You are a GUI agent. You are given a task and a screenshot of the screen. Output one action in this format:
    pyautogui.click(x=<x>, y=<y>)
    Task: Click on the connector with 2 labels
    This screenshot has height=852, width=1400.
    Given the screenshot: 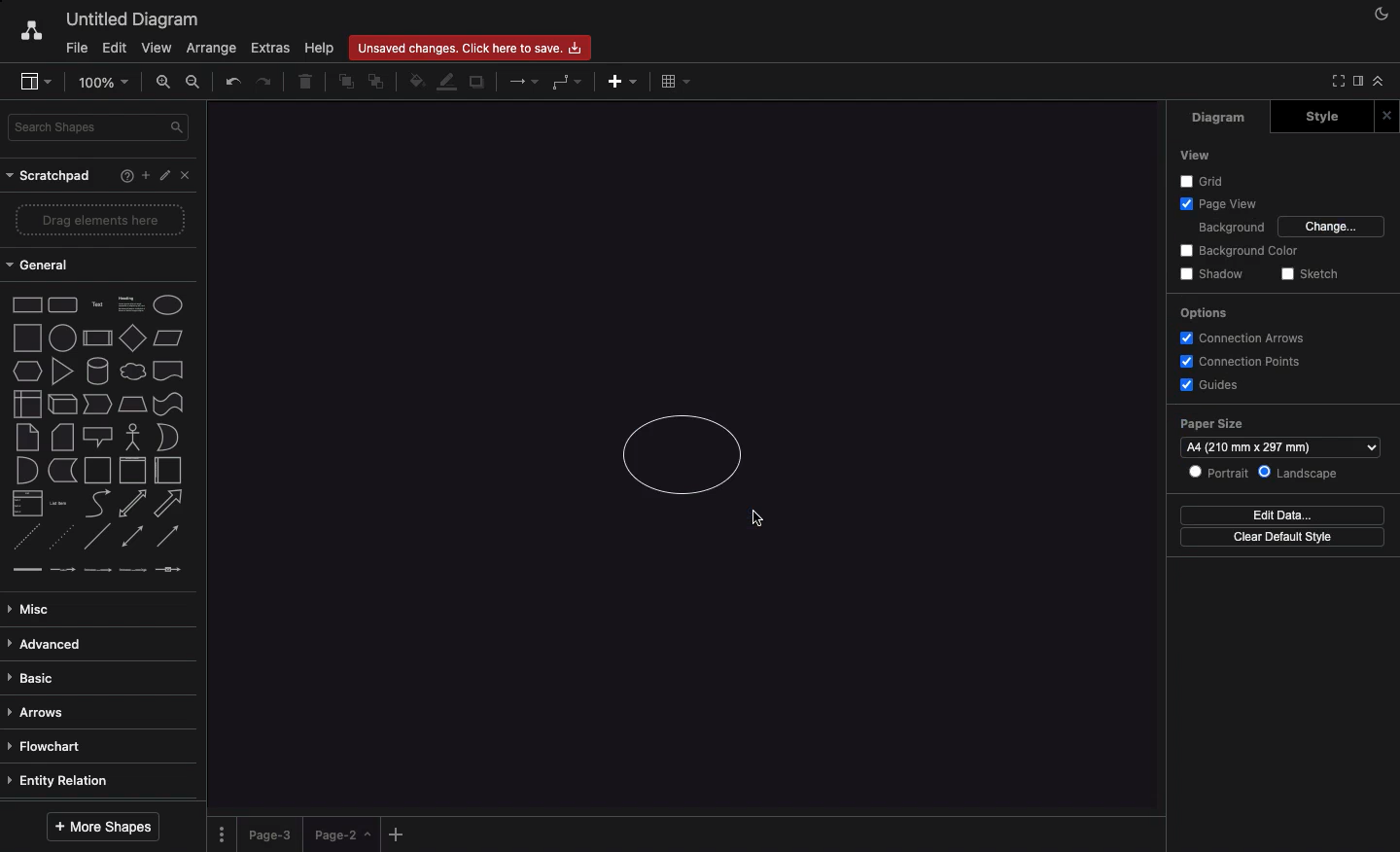 What is the action you would take?
    pyautogui.click(x=97, y=570)
    